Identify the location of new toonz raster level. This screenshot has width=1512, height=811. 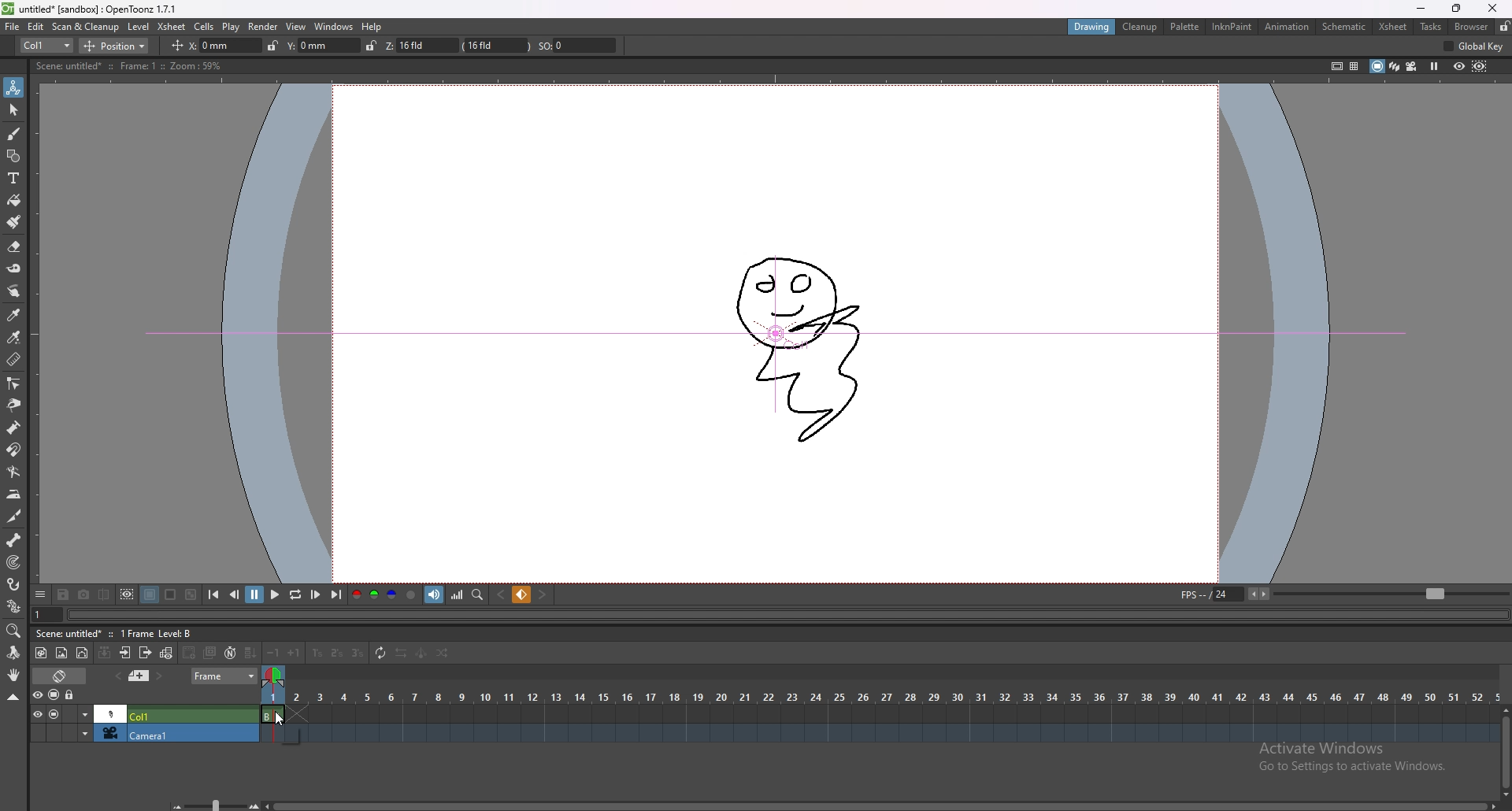
(42, 654).